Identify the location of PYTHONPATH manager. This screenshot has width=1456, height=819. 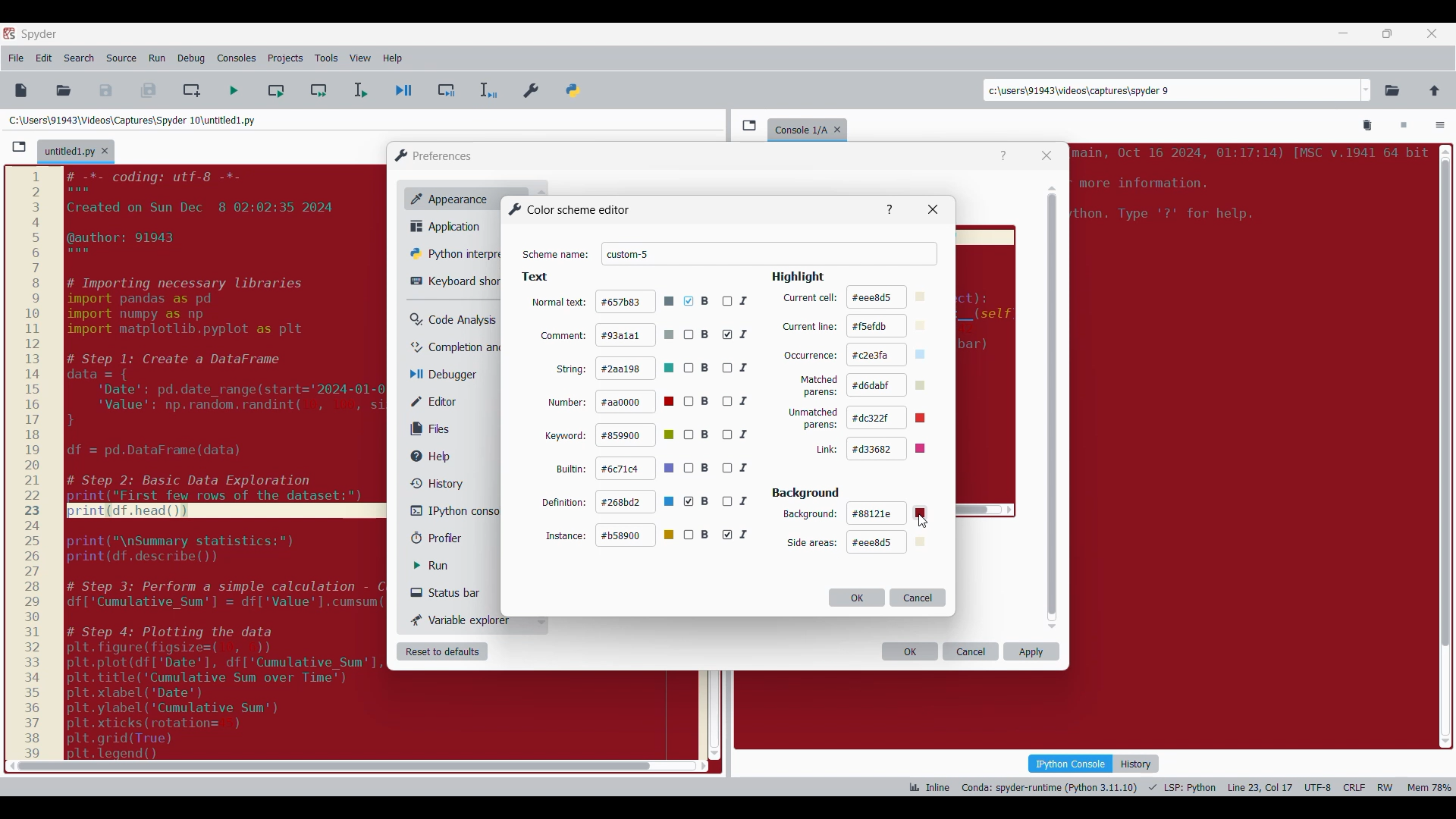
(576, 87).